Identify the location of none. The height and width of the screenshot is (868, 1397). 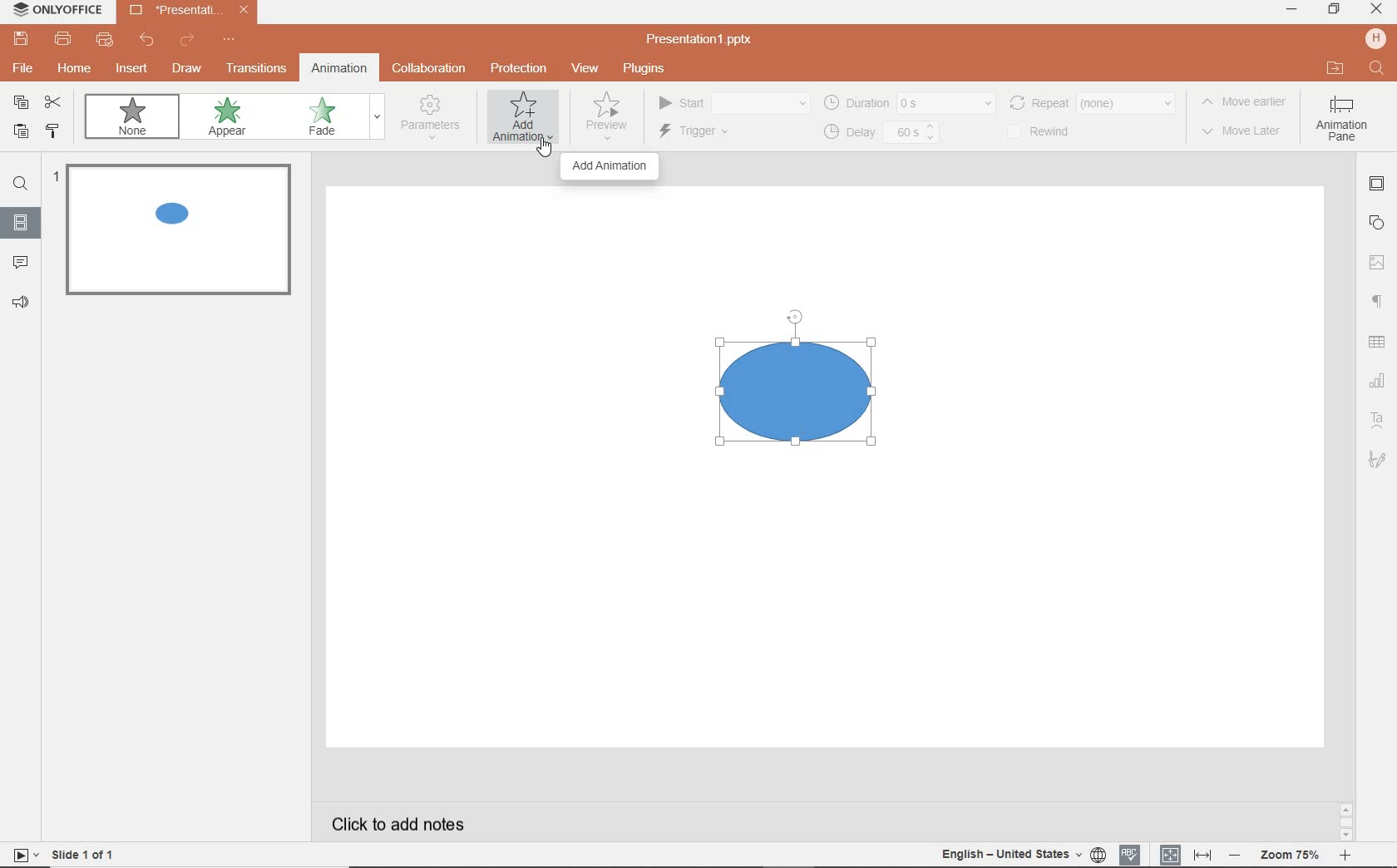
(136, 120).